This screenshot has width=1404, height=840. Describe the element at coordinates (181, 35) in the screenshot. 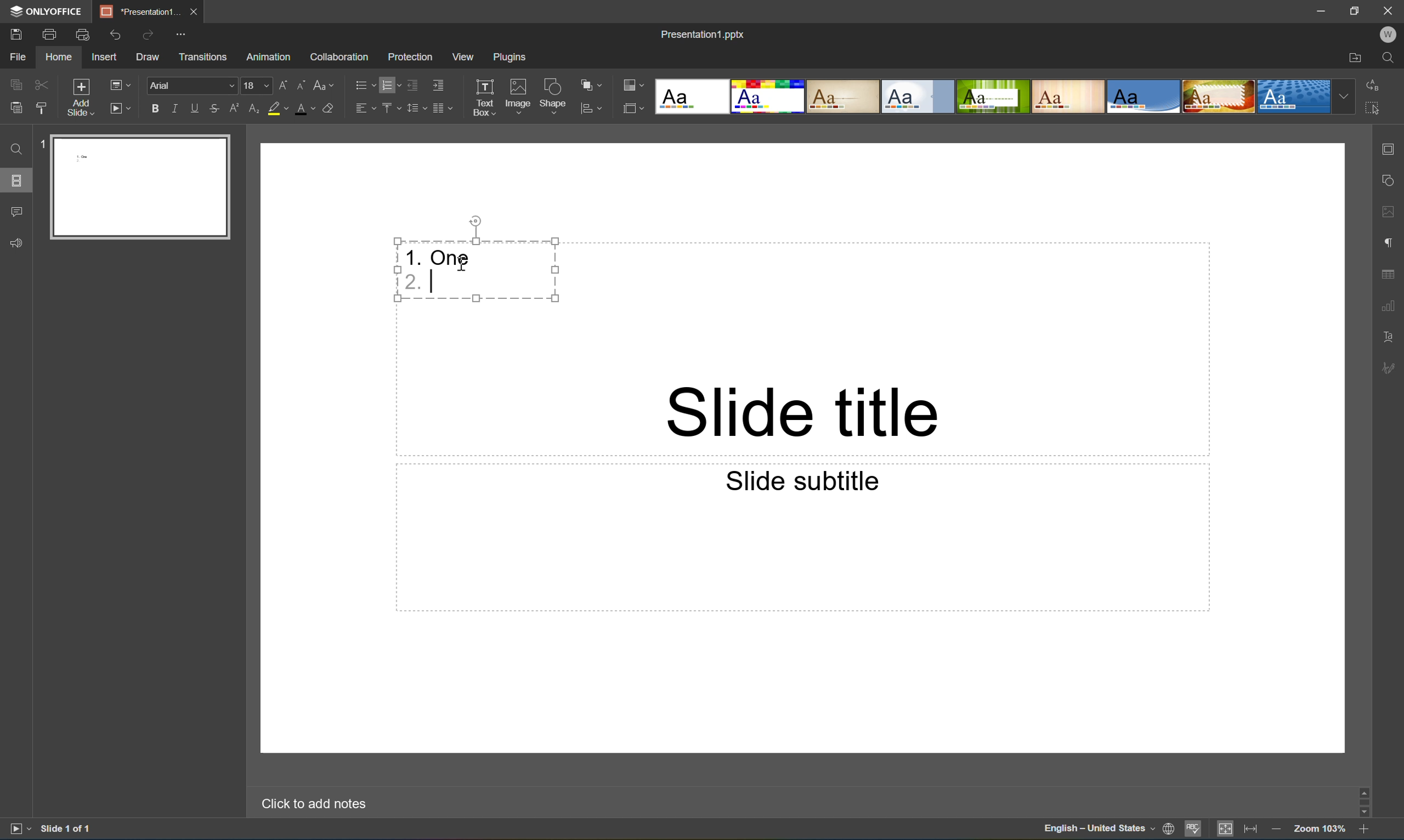

I see `Customize Quick Access Toolbar` at that location.